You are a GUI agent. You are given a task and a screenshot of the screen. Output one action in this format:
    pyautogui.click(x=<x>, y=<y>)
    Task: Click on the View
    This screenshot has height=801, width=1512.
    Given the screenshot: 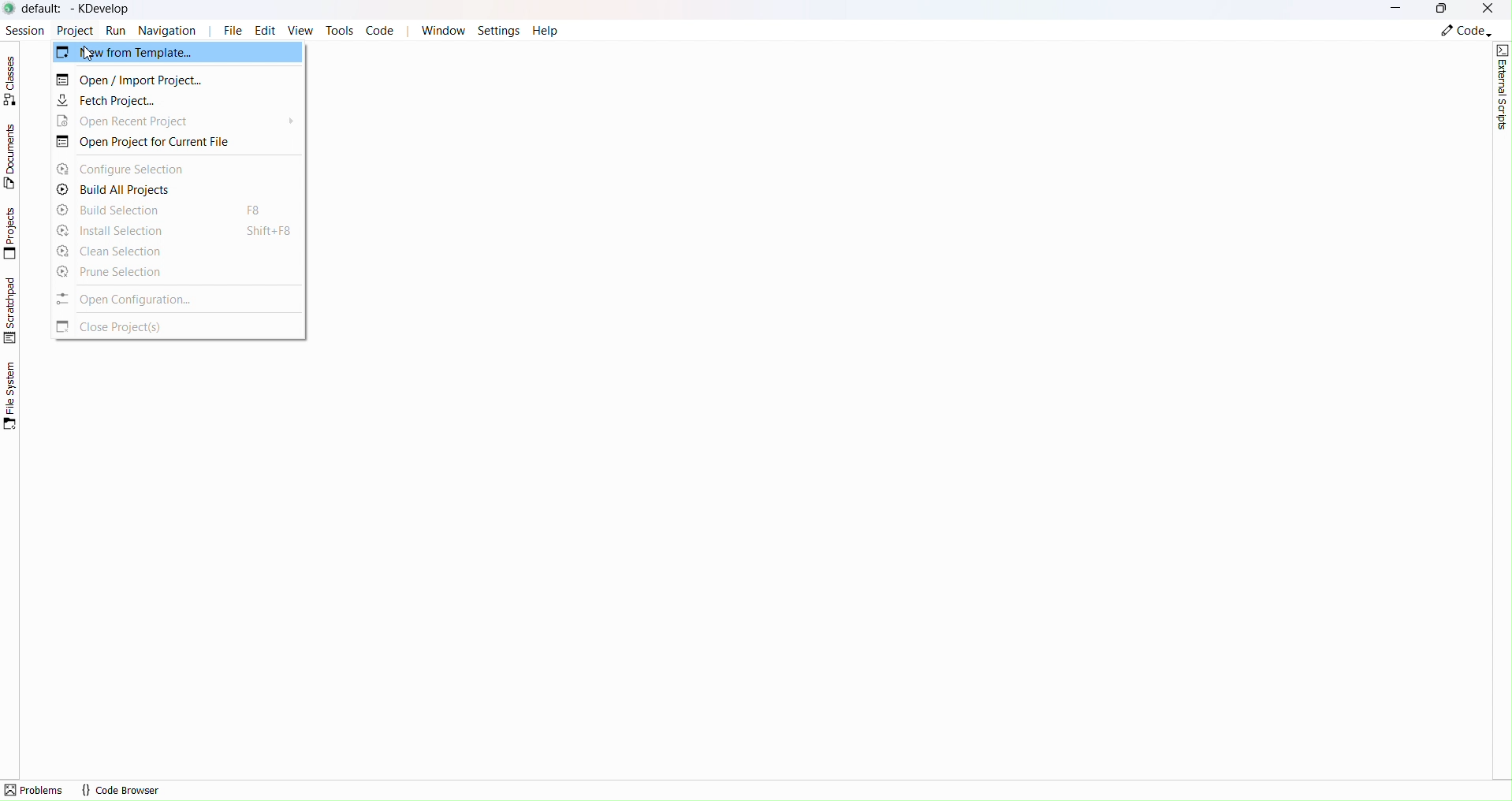 What is the action you would take?
    pyautogui.click(x=304, y=32)
    